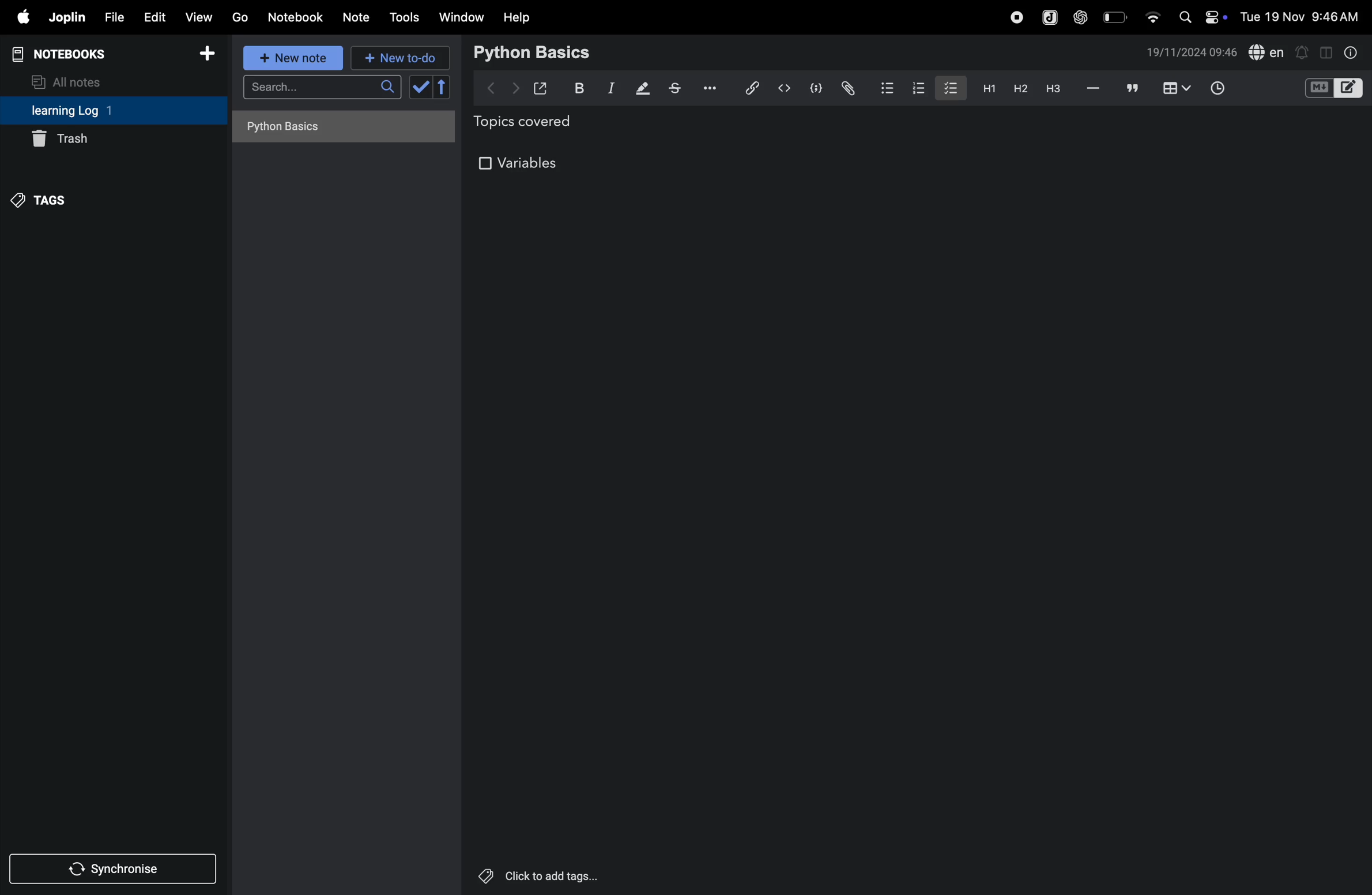 The image size is (1372, 895). What do you see at coordinates (322, 91) in the screenshot?
I see `search` at bounding box center [322, 91].